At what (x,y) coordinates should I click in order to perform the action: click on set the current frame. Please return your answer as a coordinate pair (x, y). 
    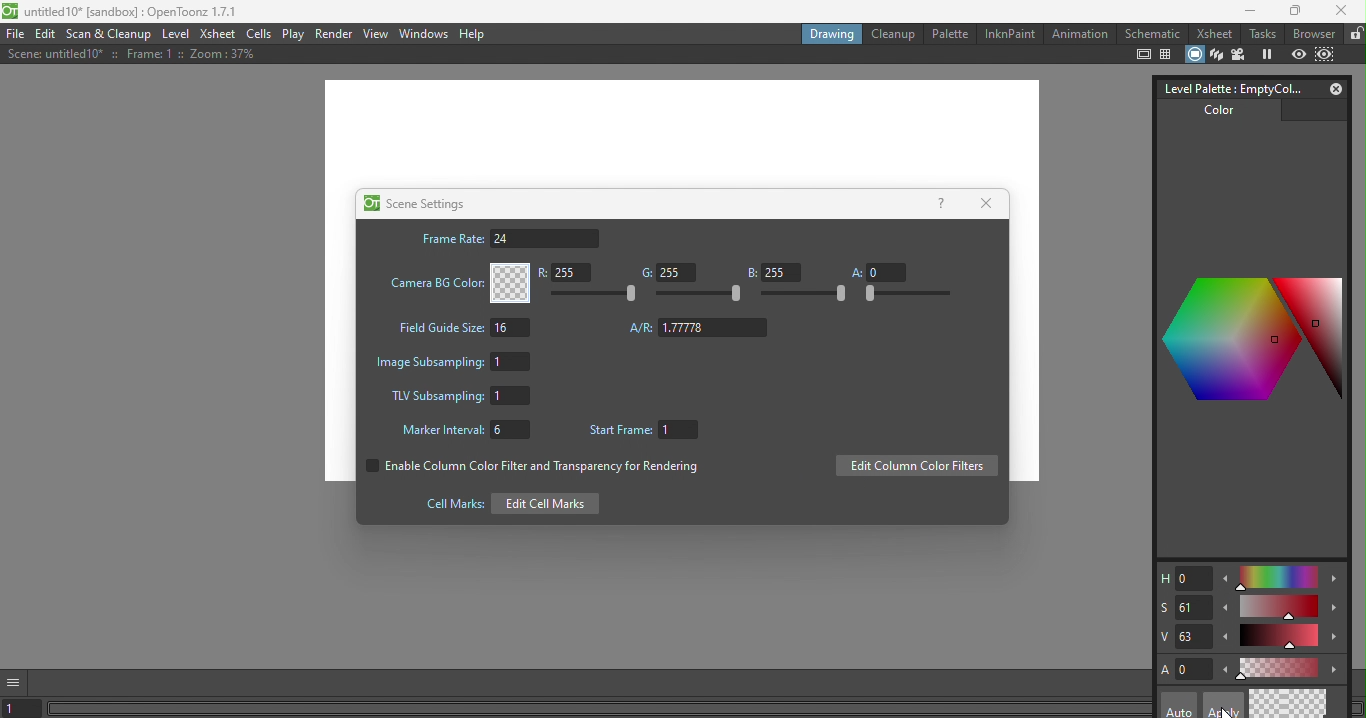
    Looking at the image, I should click on (24, 709).